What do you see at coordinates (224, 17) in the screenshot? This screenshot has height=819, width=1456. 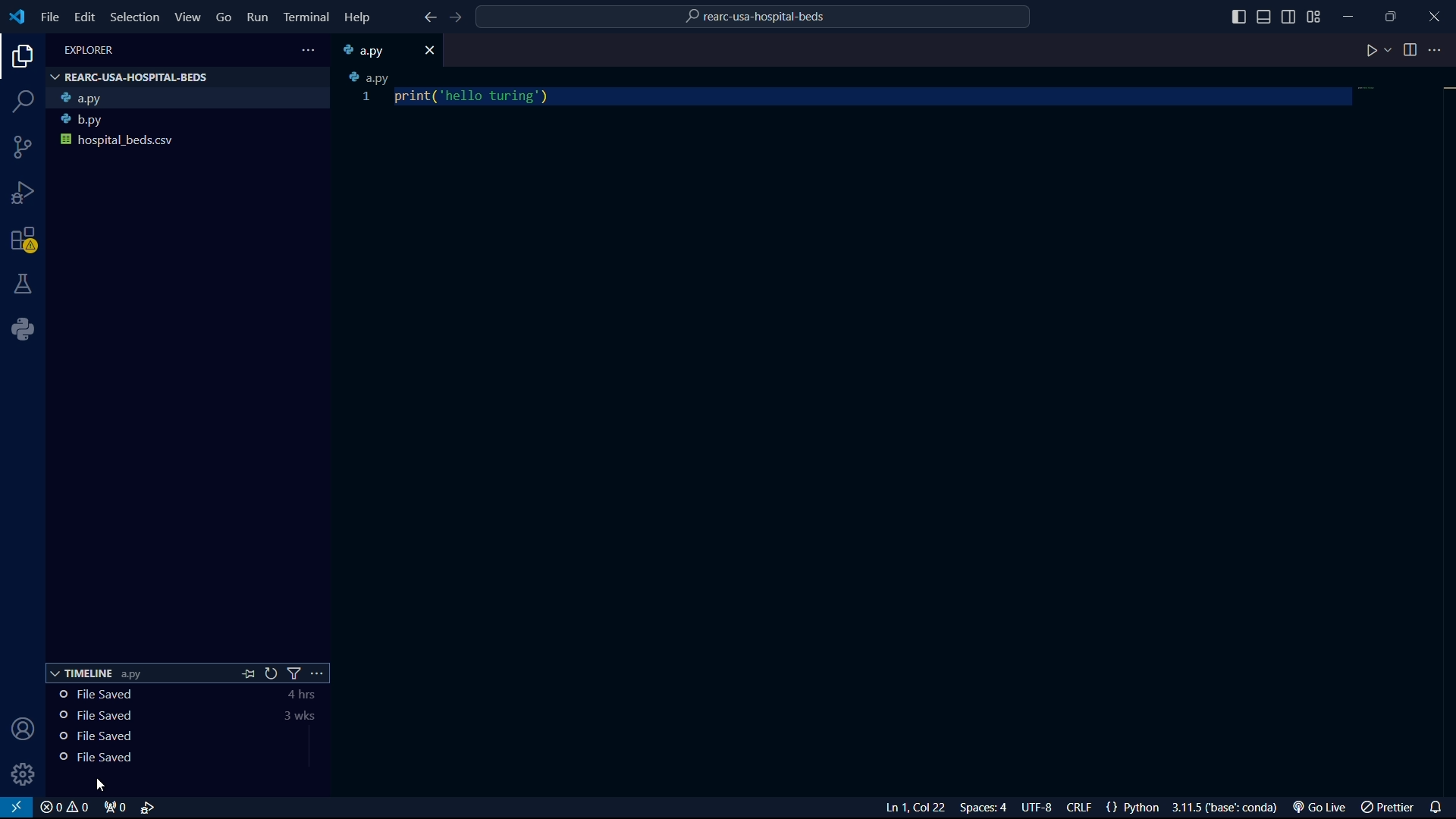 I see `go menu` at bounding box center [224, 17].